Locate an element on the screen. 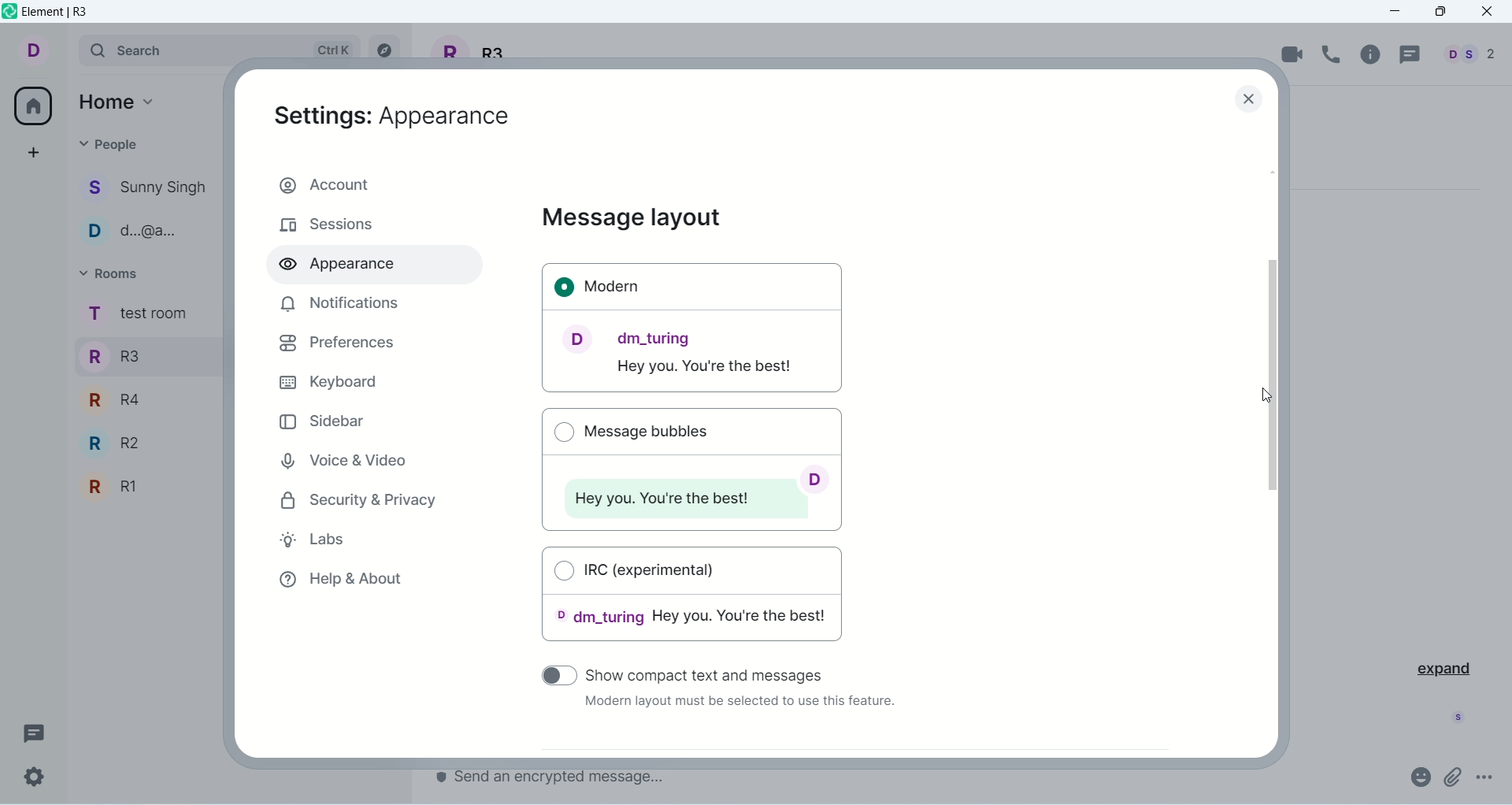 The image size is (1512, 805). logo is located at coordinates (9, 14).